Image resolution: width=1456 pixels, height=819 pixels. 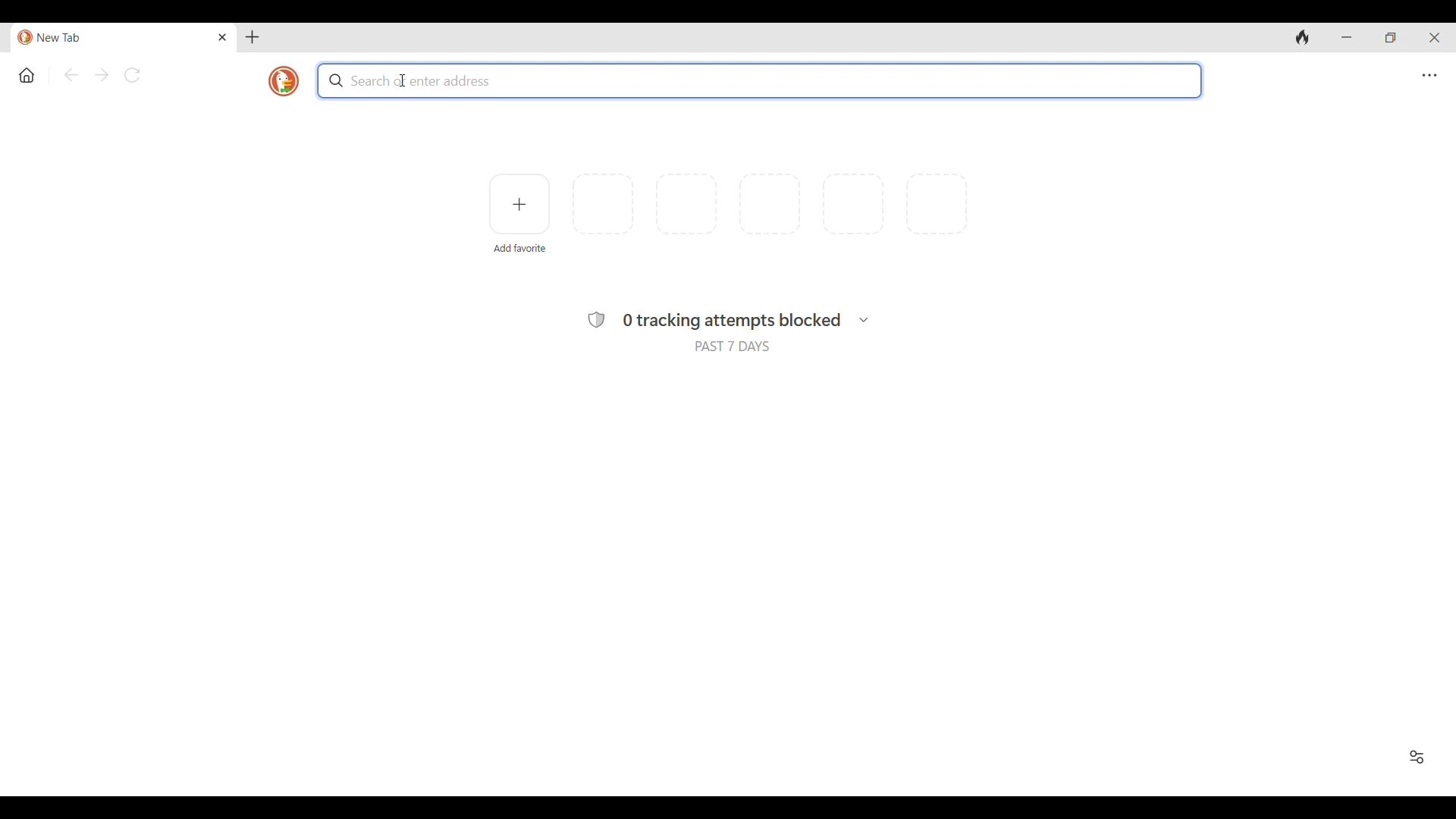 I want to click on Close interface, so click(x=1435, y=38).